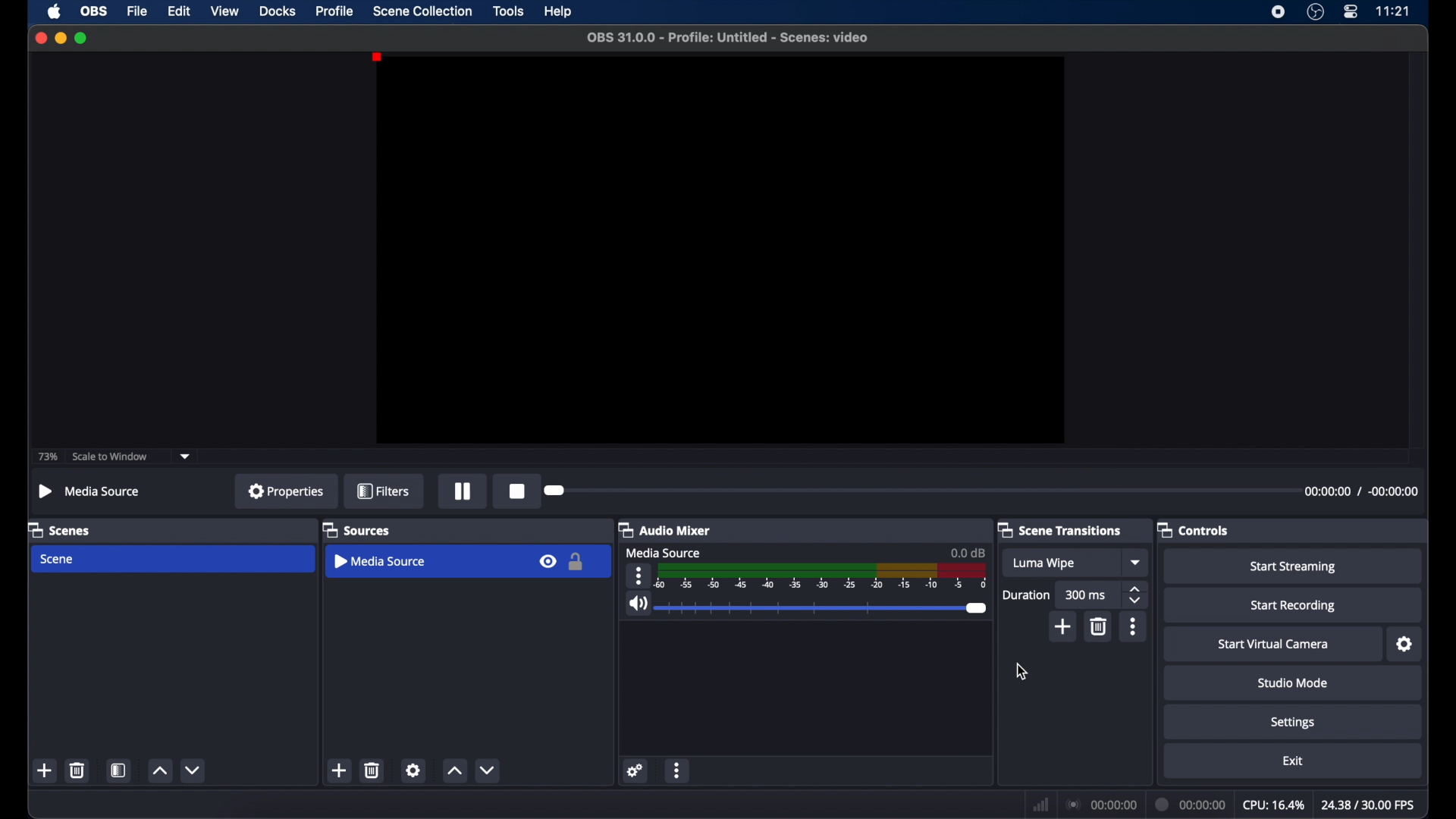  Describe the element at coordinates (224, 10) in the screenshot. I see `view` at that location.